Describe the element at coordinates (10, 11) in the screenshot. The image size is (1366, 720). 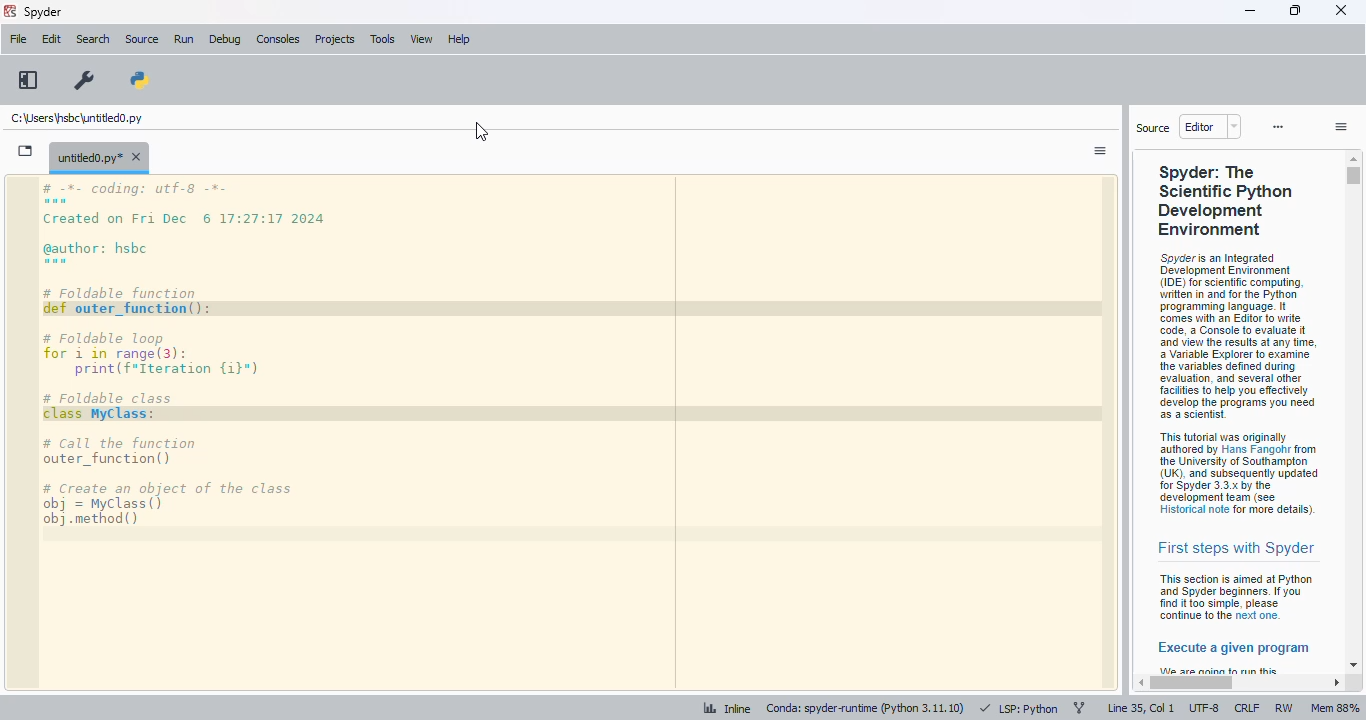
I see `logo` at that location.